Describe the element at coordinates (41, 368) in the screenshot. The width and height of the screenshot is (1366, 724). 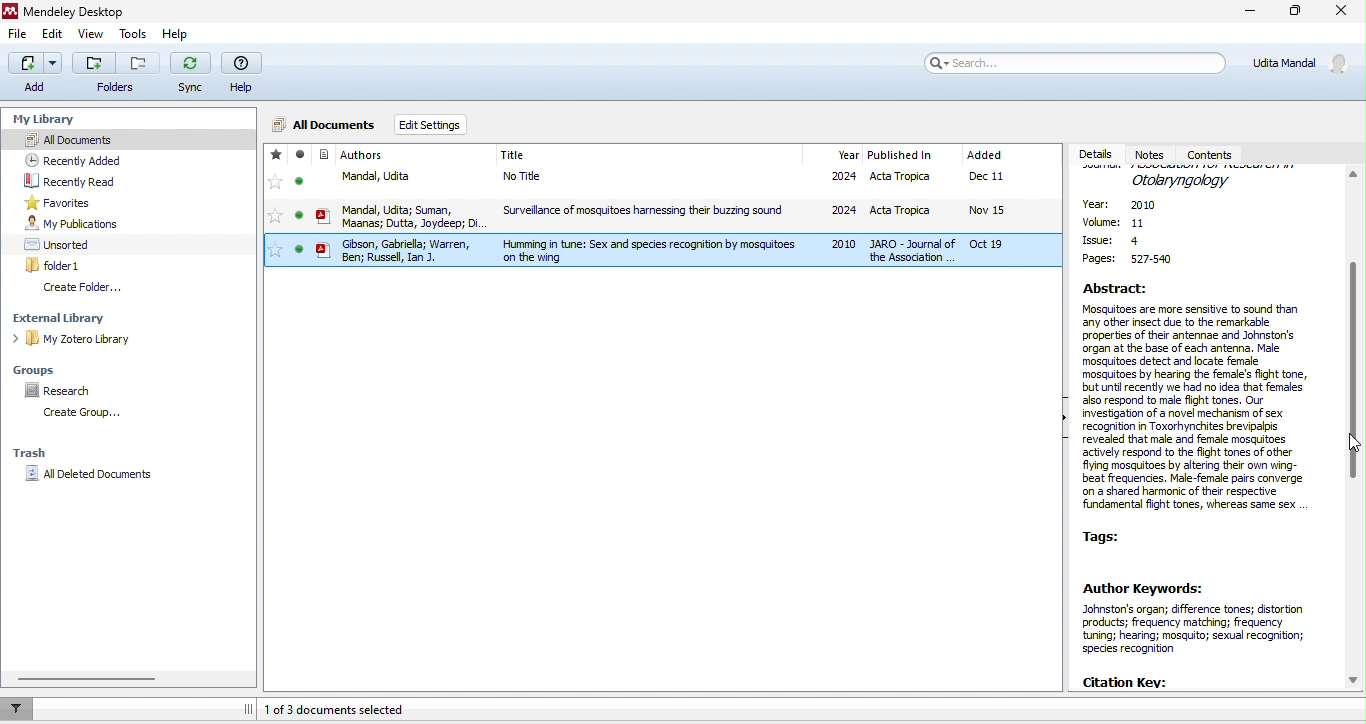
I see `groups` at that location.